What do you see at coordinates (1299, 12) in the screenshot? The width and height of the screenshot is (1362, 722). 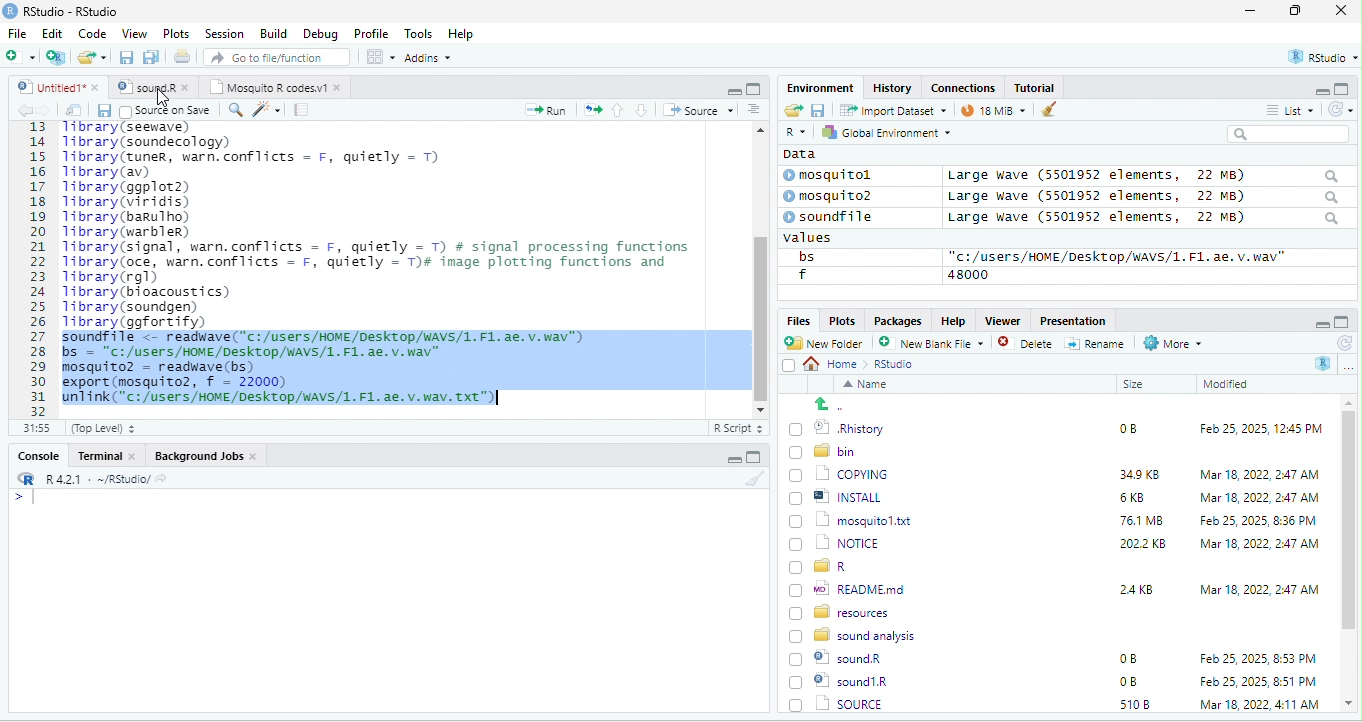 I see `maximize` at bounding box center [1299, 12].